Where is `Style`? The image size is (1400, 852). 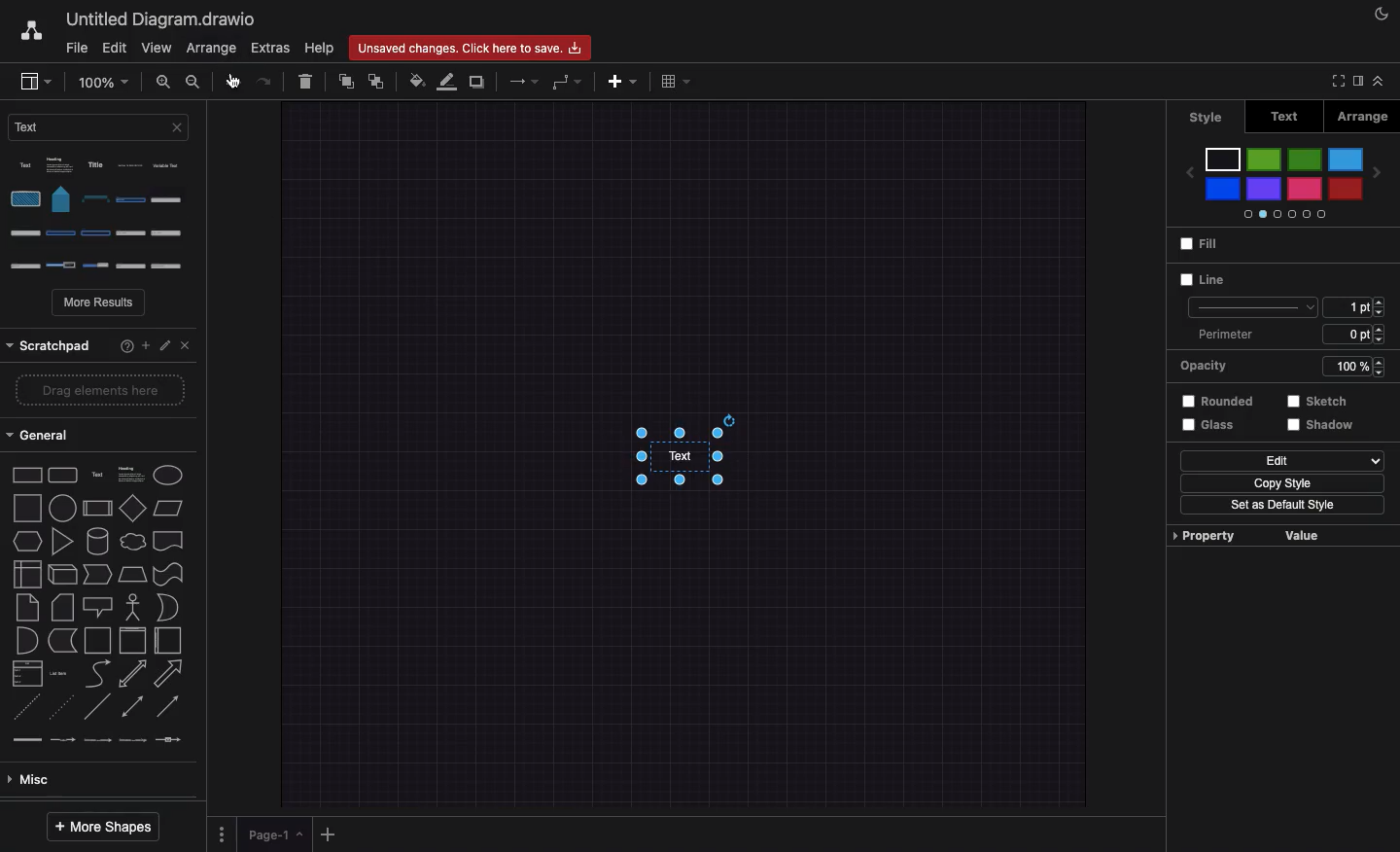
Style is located at coordinates (1209, 115).